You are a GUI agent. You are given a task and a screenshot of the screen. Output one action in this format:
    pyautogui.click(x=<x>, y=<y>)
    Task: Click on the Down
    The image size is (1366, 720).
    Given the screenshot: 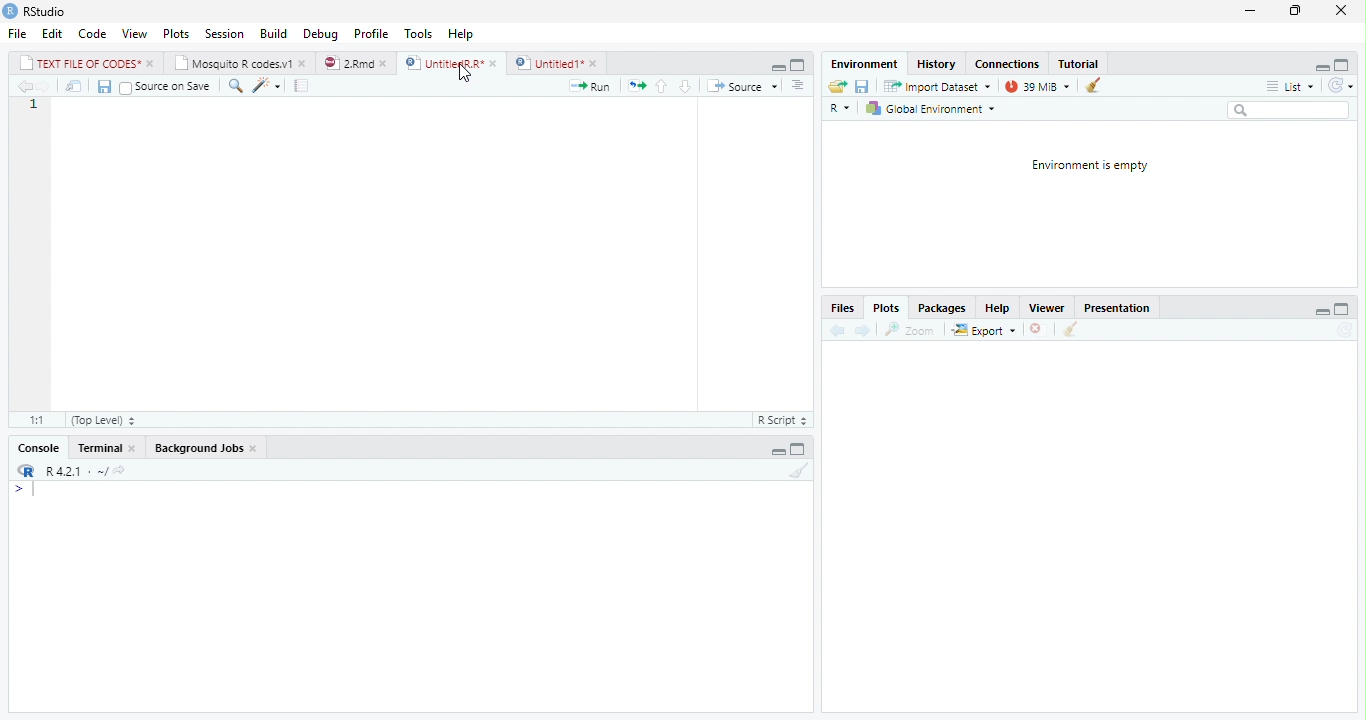 What is the action you would take?
    pyautogui.click(x=685, y=85)
    